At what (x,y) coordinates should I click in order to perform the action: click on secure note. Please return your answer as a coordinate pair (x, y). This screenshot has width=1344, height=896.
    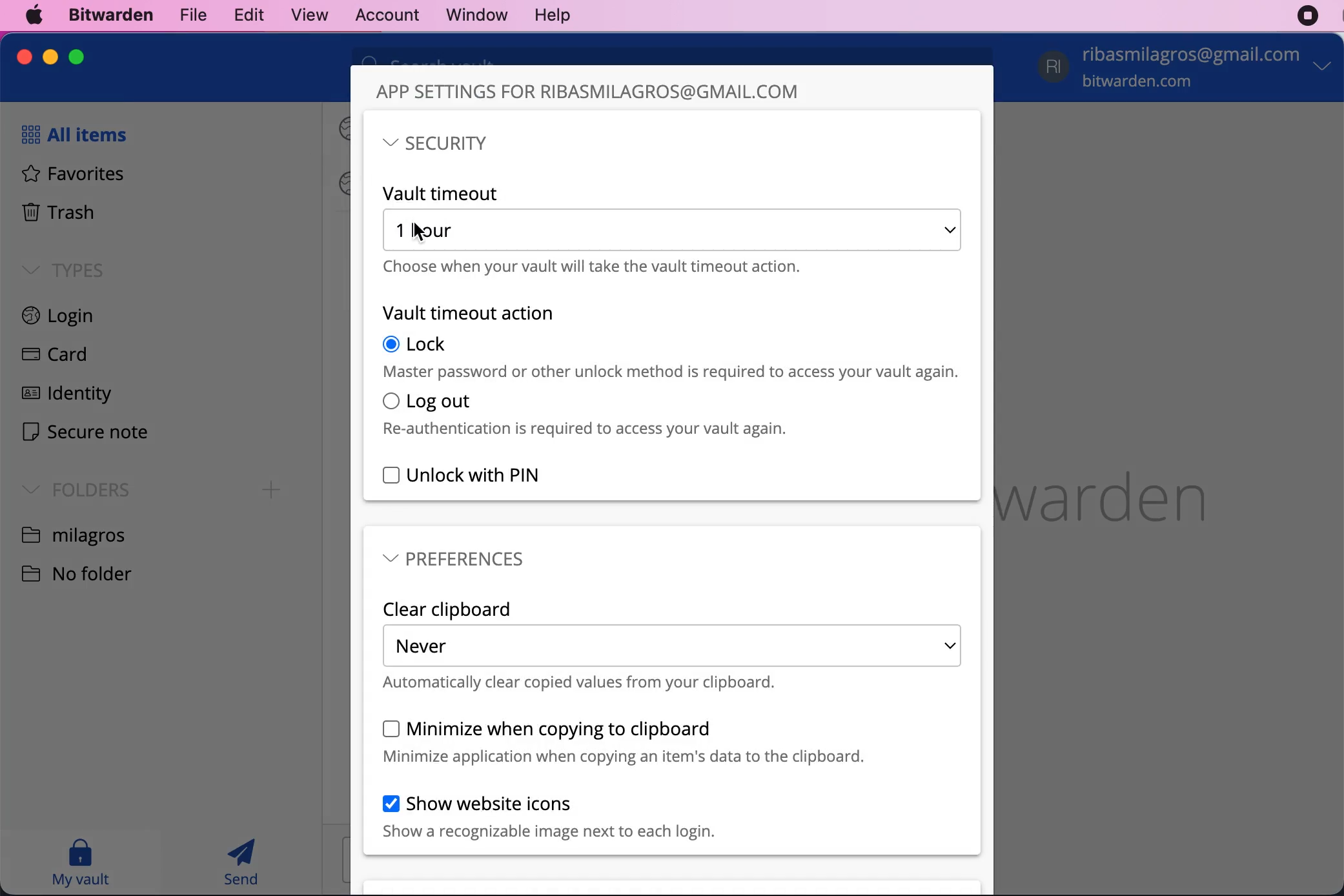
    Looking at the image, I should click on (85, 434).